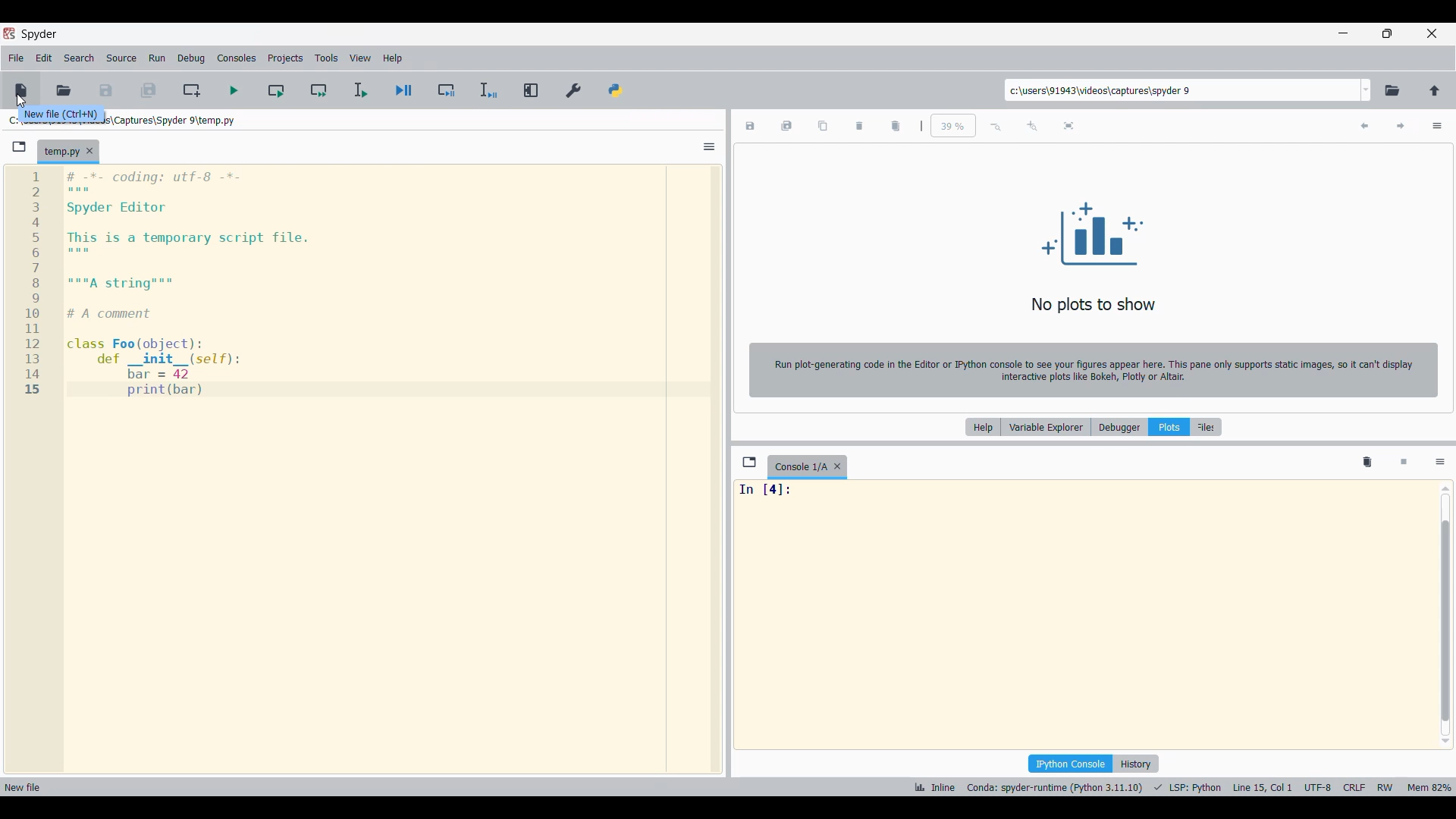  Describe the element at coordinates (1441, 463) in the screenshot. I see `Options` at that location.